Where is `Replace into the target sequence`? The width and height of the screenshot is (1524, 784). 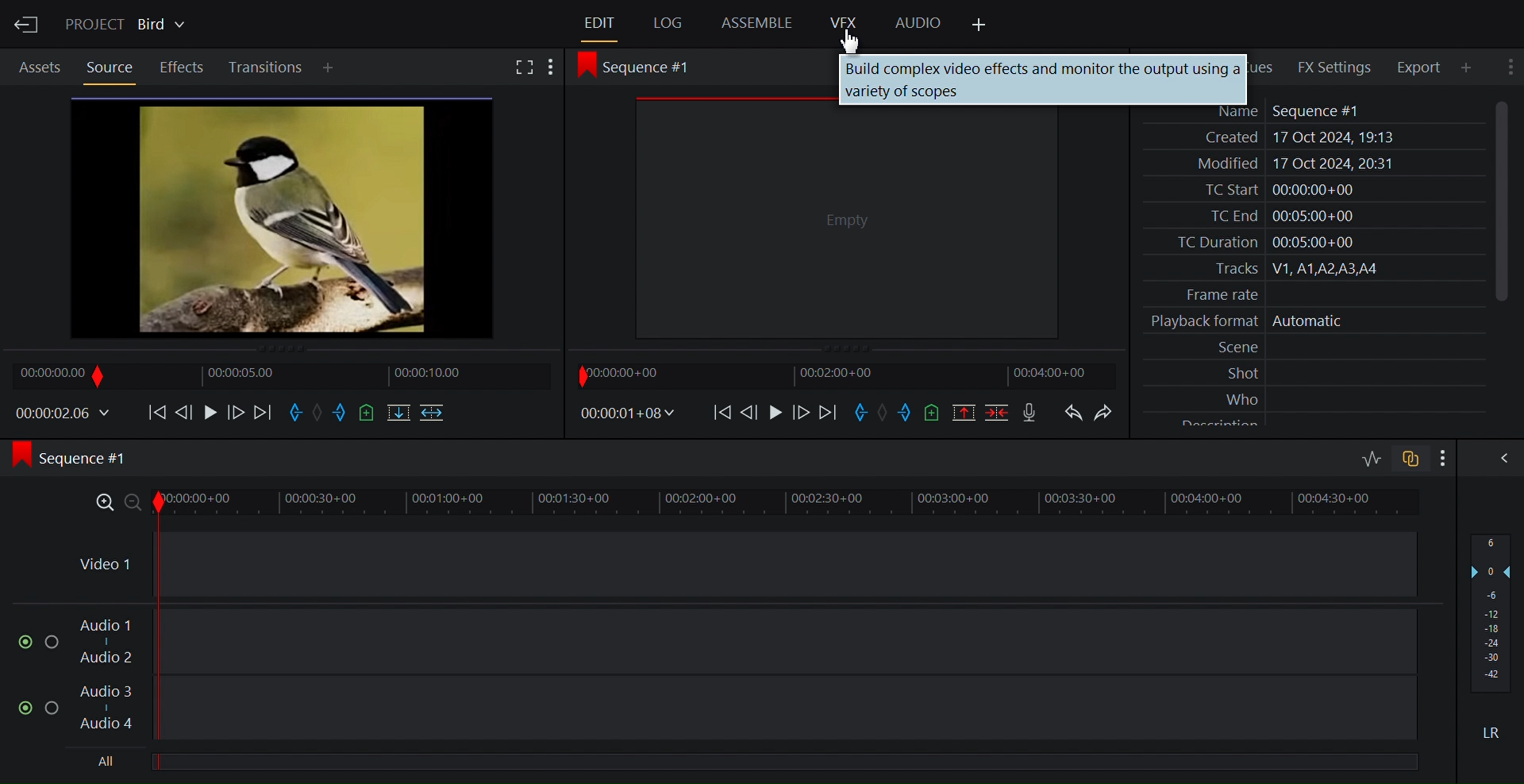 Replace into the target sequence is located at coordinates (399, 414).